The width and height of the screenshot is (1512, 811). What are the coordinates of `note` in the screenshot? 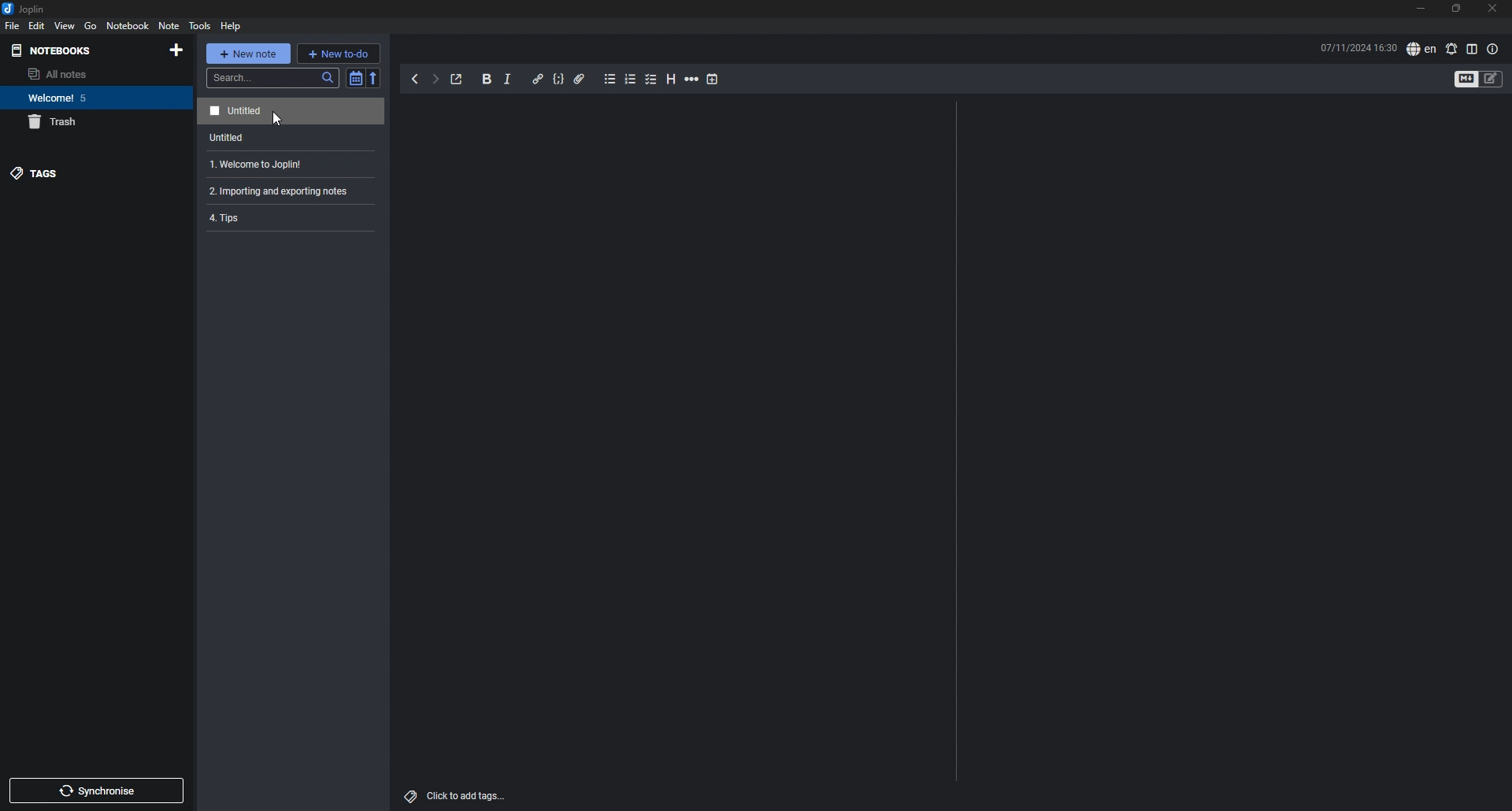 It's located at (288, 165).